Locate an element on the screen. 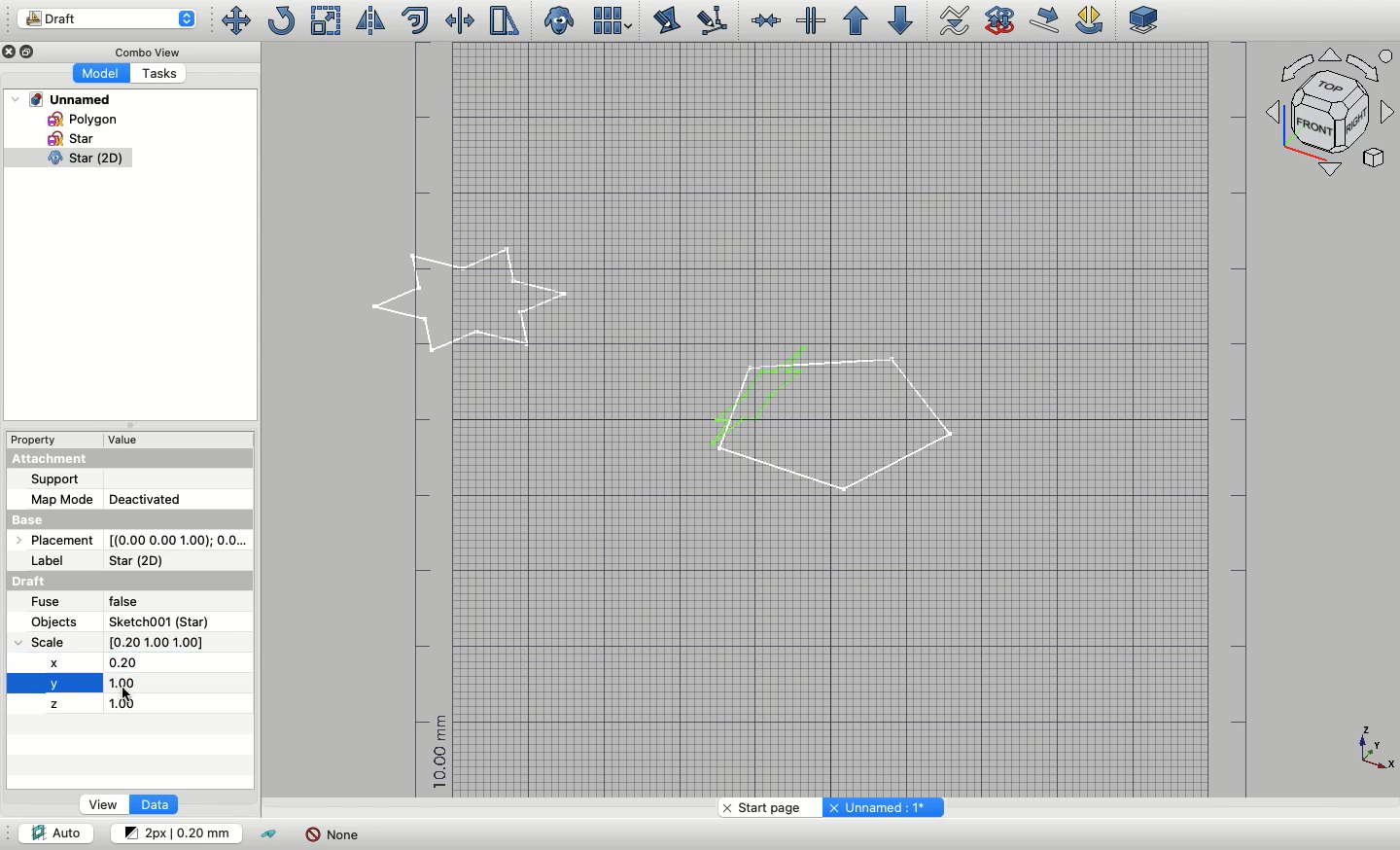  Join is located at coordinates (765, 20).